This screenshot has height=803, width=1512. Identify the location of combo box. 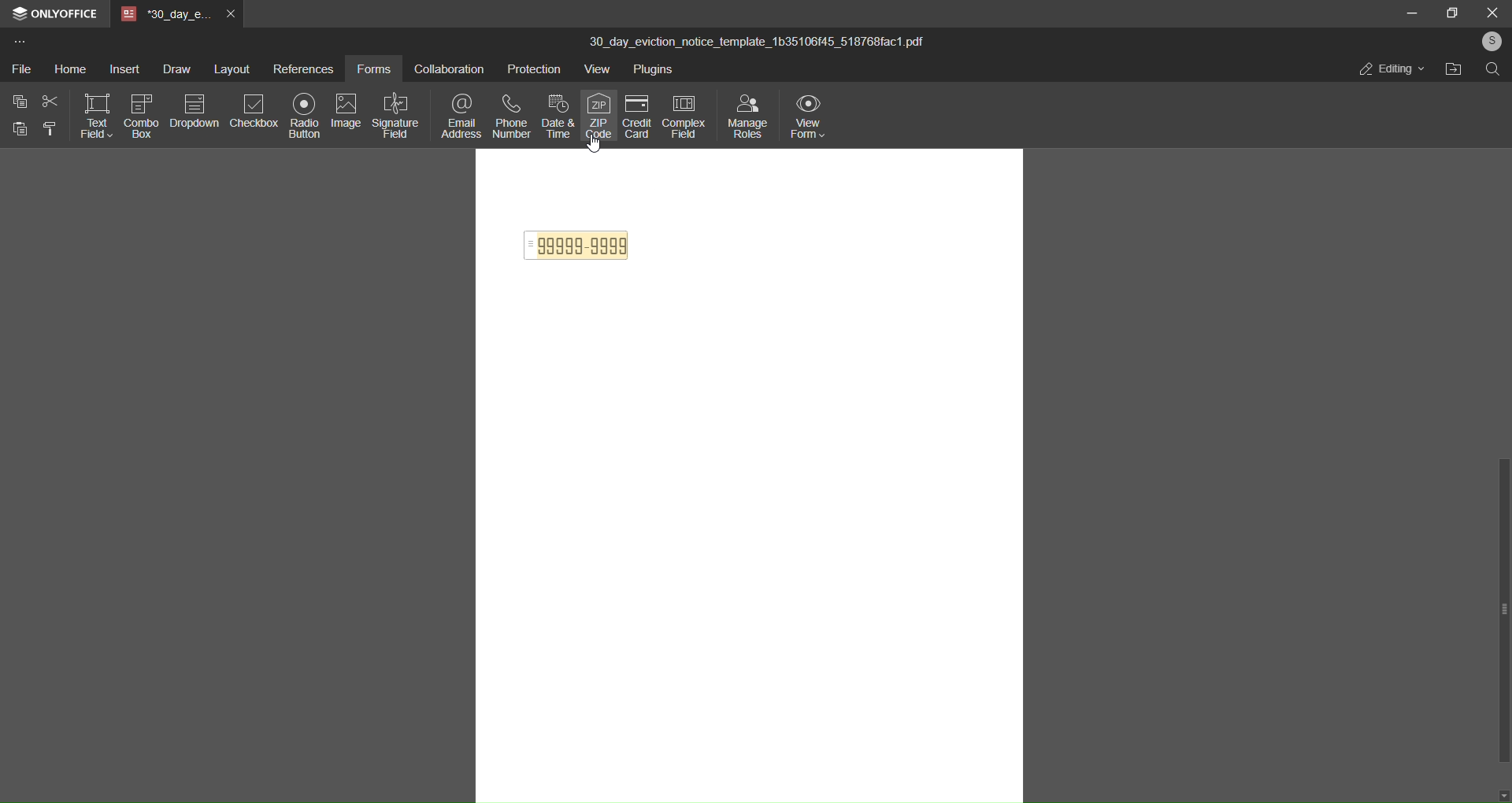
(140, 113).